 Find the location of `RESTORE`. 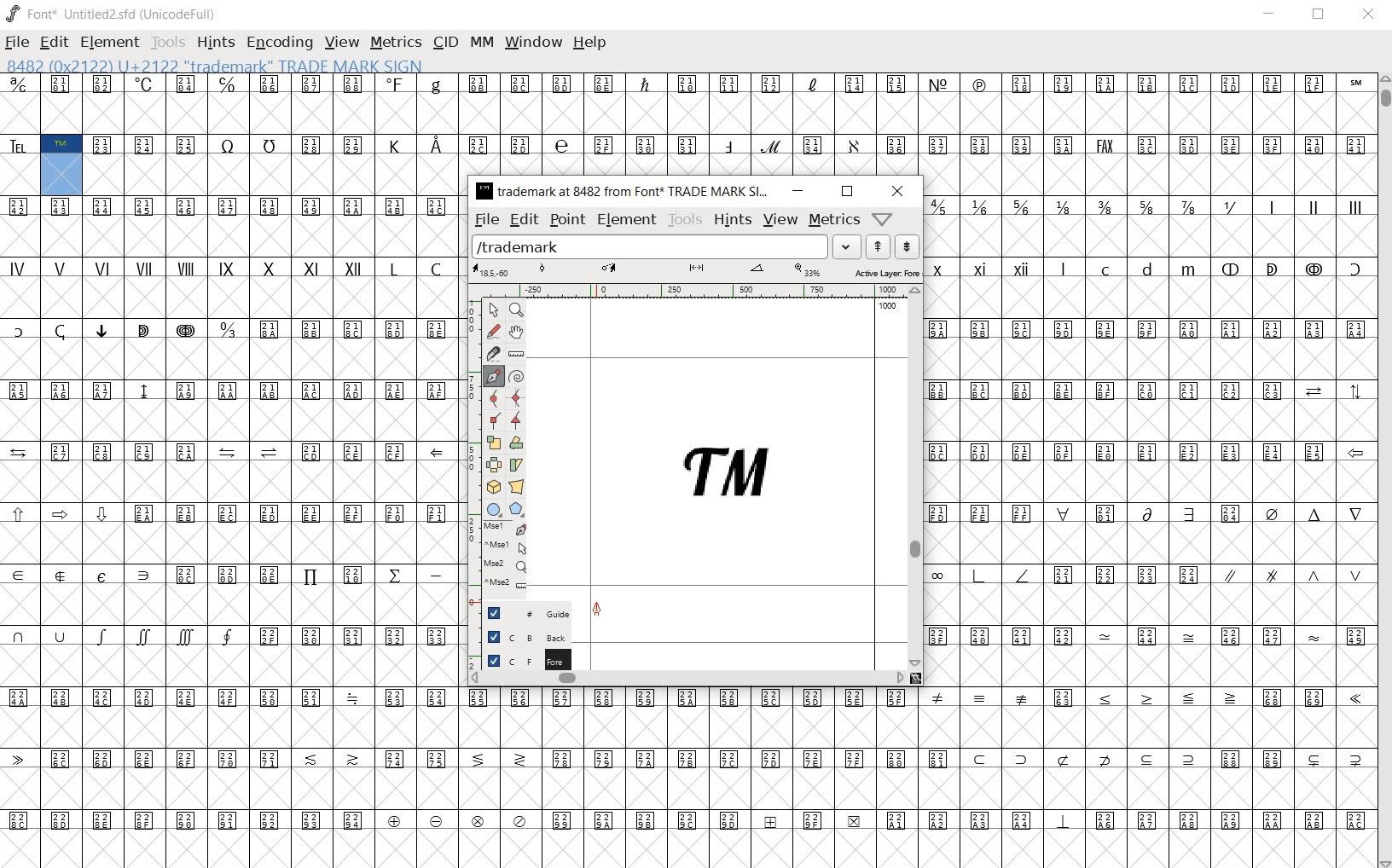

RESTORE is located at coordinates (1318, 16).